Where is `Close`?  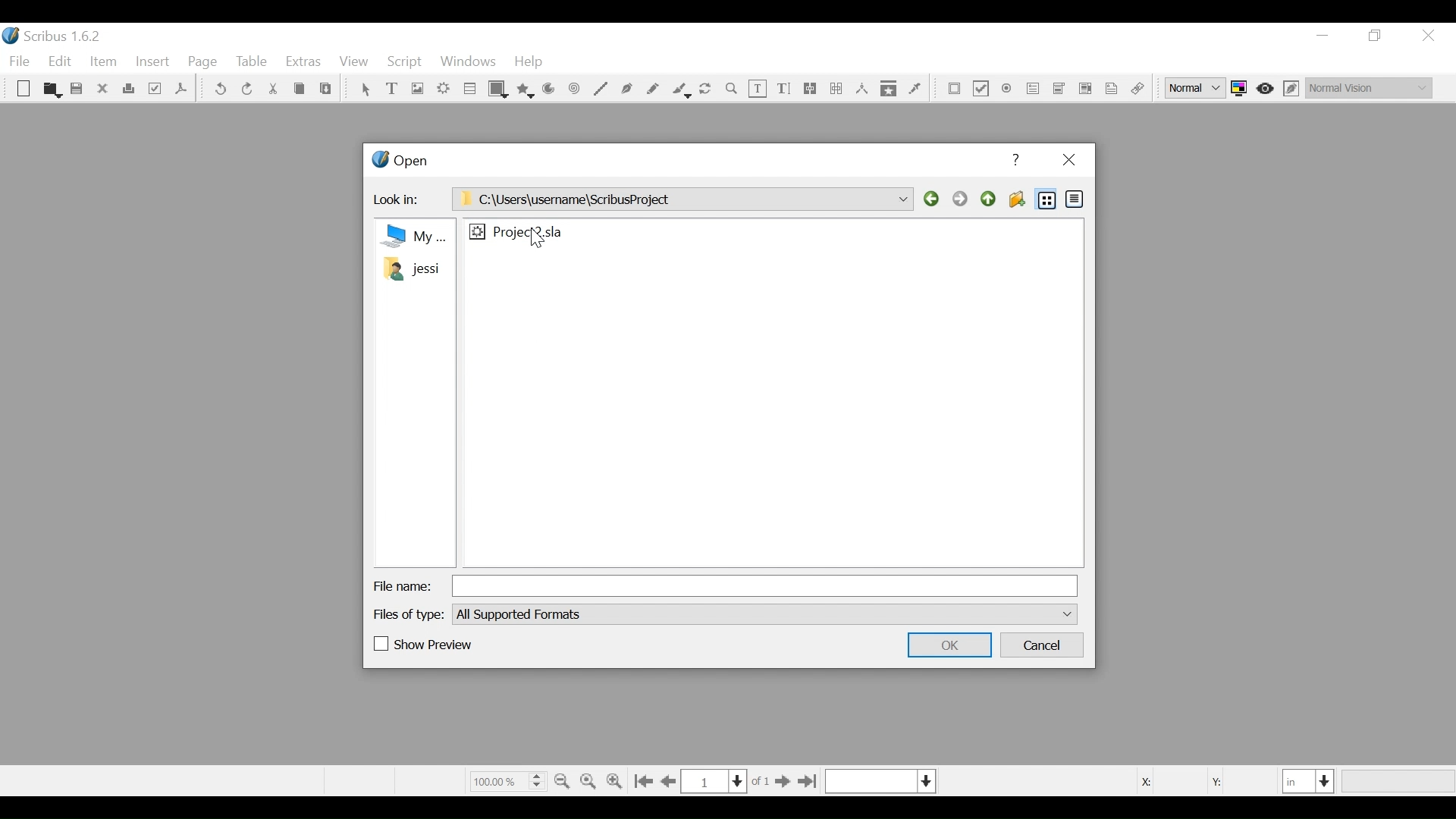
Close is located at coordinates (1427, 36).